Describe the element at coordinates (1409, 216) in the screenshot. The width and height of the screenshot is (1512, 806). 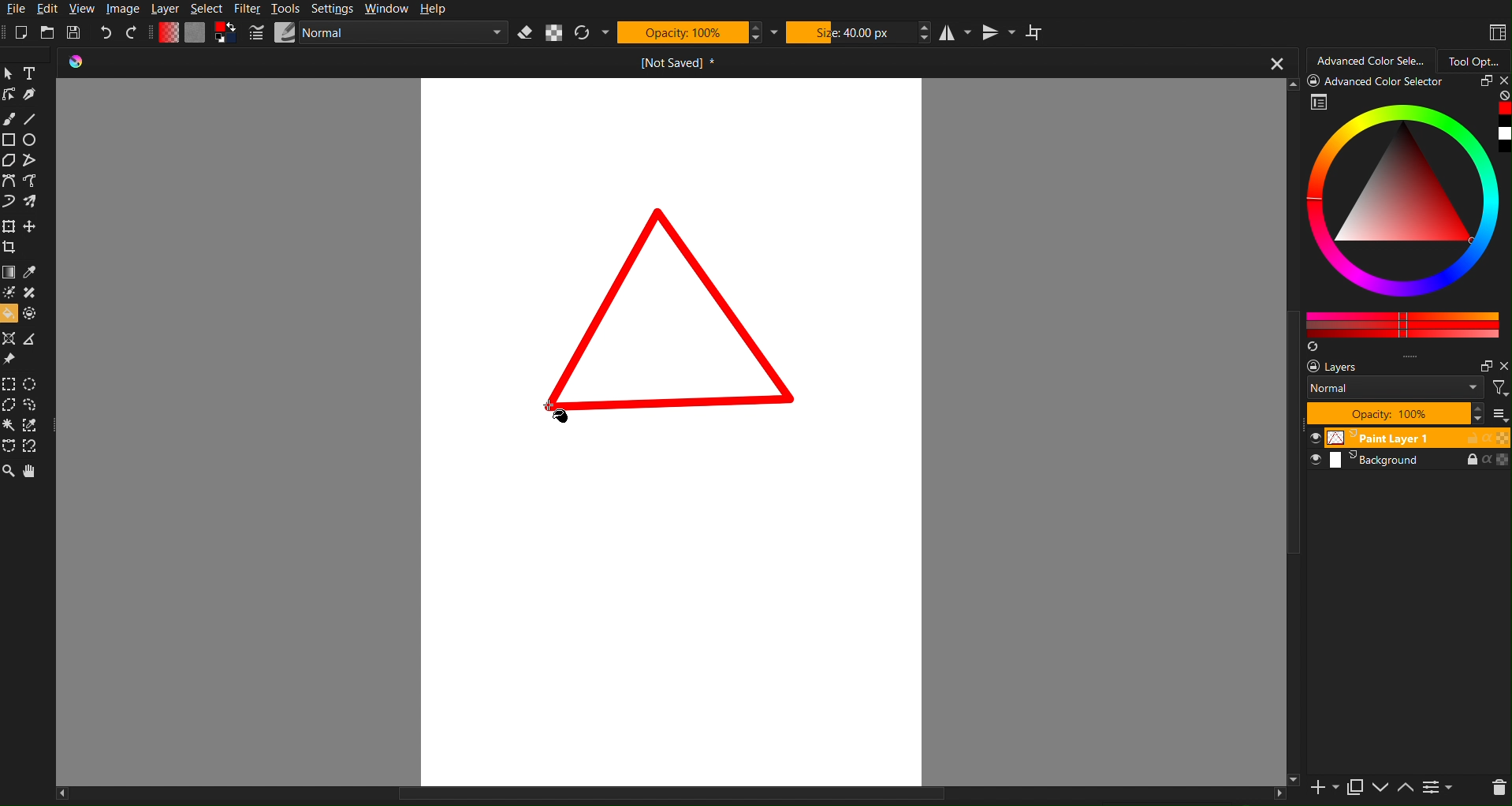
I see `Advanced Color Selector` at that location.